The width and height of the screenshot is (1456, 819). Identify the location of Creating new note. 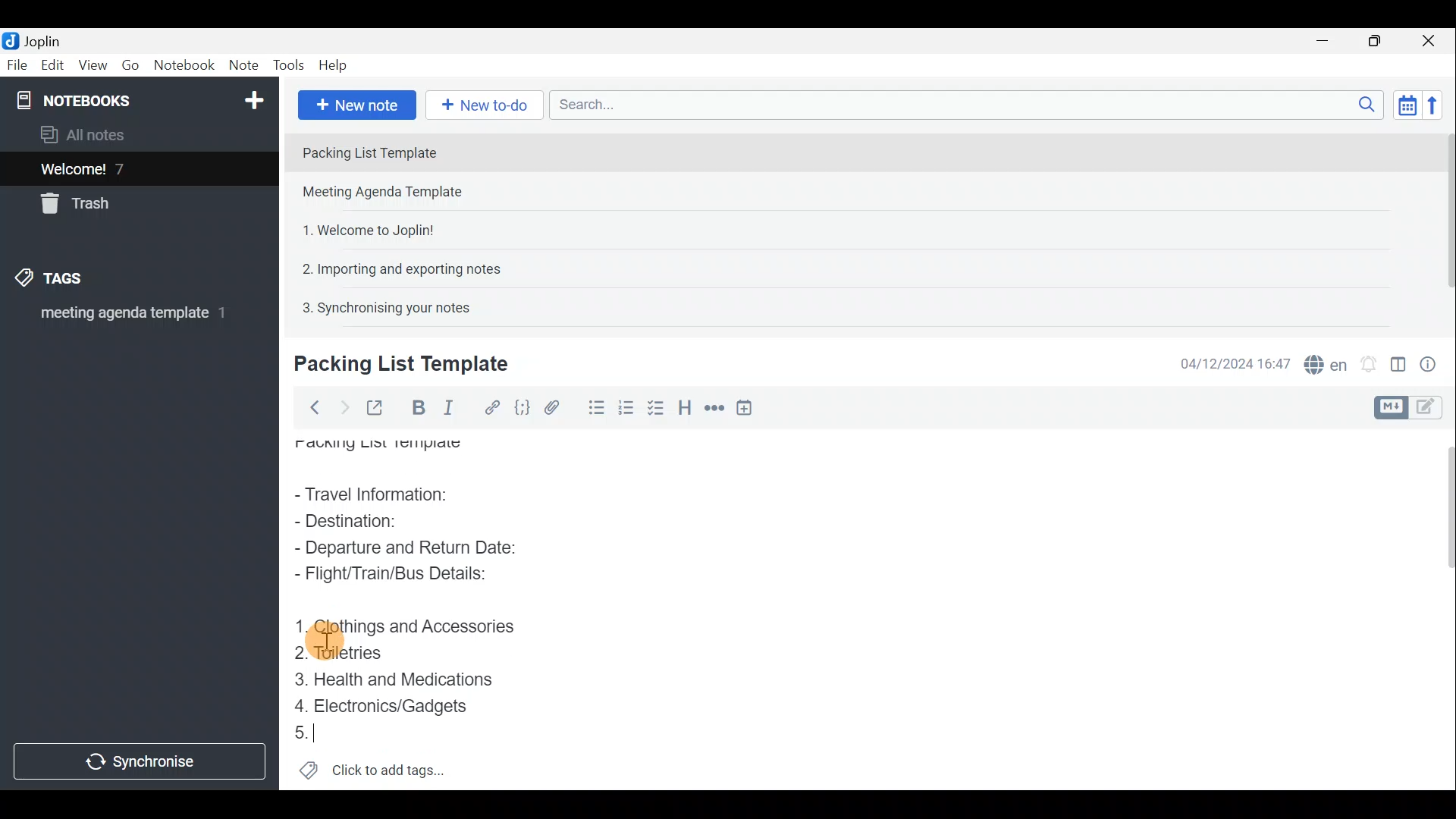
(392, 365).